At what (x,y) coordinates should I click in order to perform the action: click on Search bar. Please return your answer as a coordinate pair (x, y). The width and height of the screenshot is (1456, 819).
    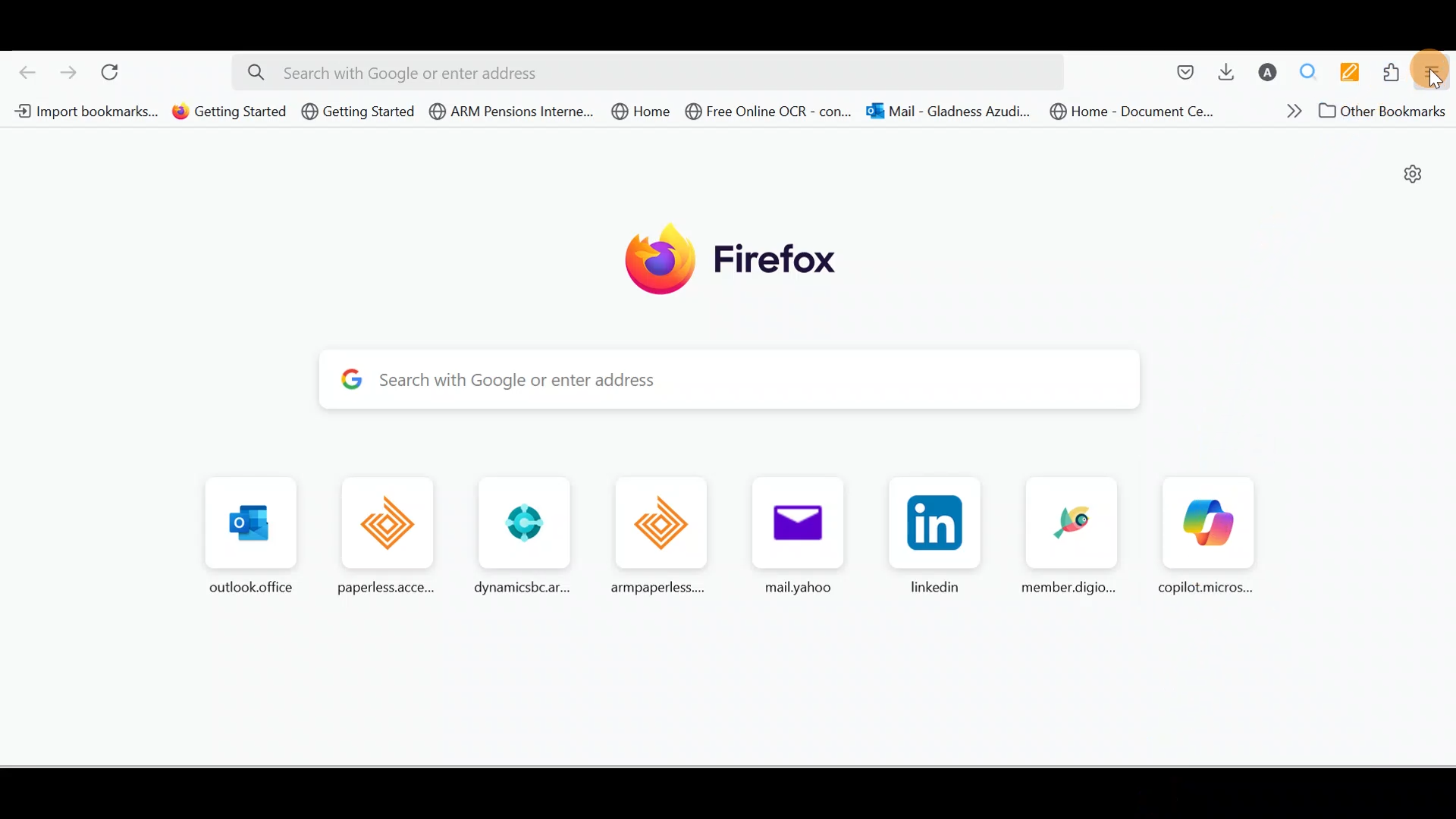
    Looking at the image, I should click on (636, 72).